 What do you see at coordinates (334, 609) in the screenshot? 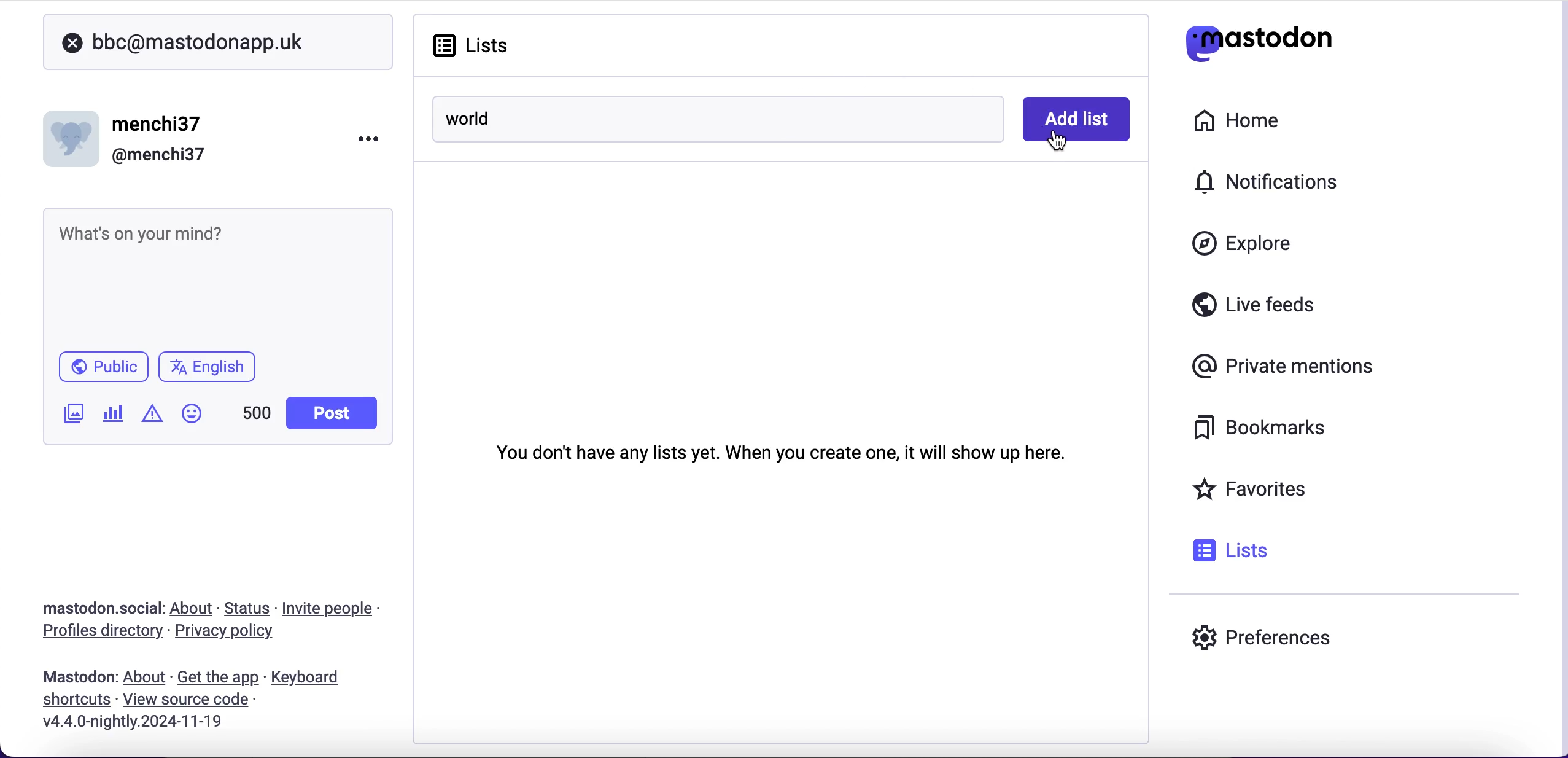
I see `invite people` at bounding box center [334, 609].